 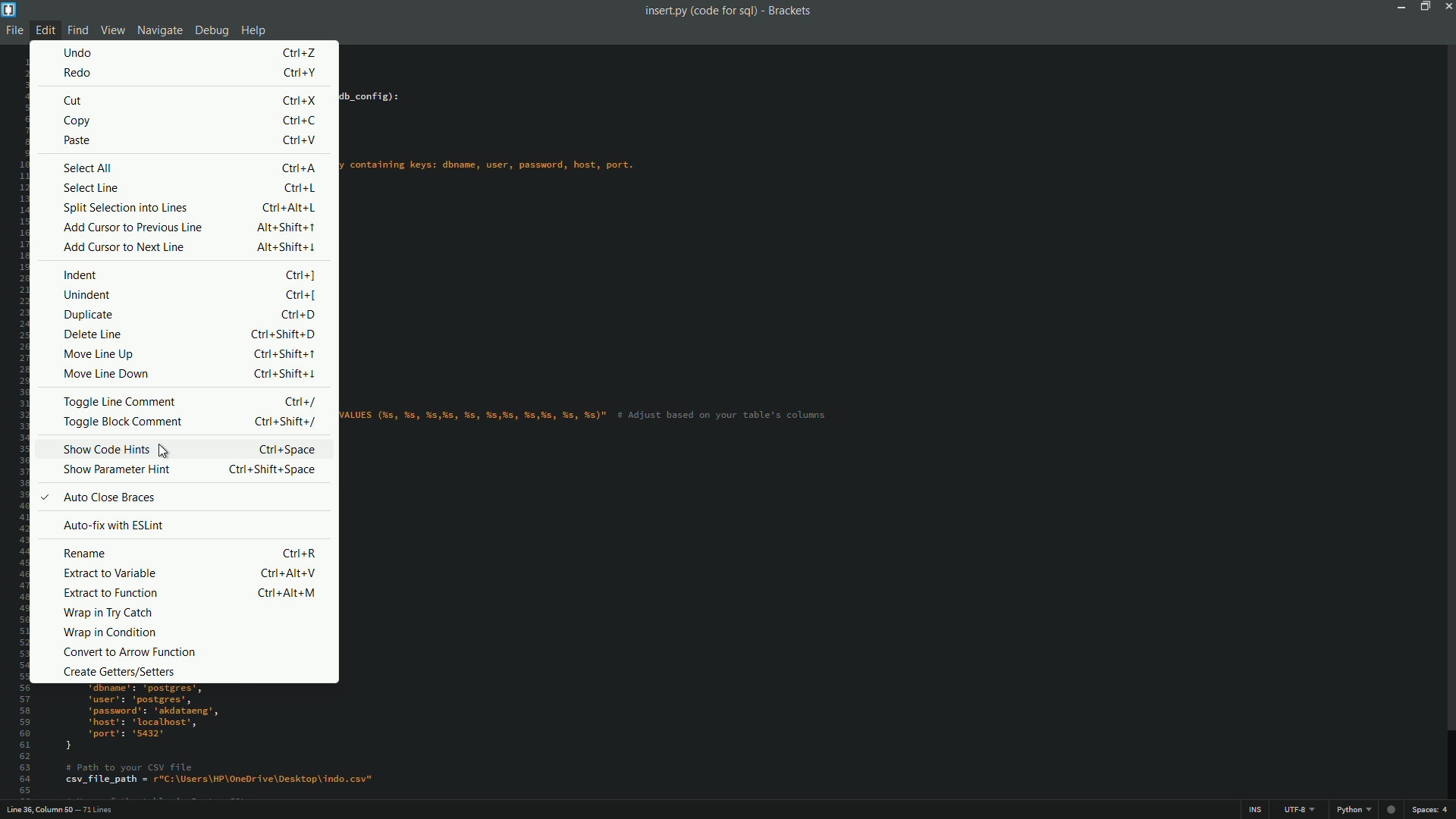 What do you see at coordinates (302, 52) in the screenshot?
I see `keyboard shortcut` at bounding box center [302, 52].